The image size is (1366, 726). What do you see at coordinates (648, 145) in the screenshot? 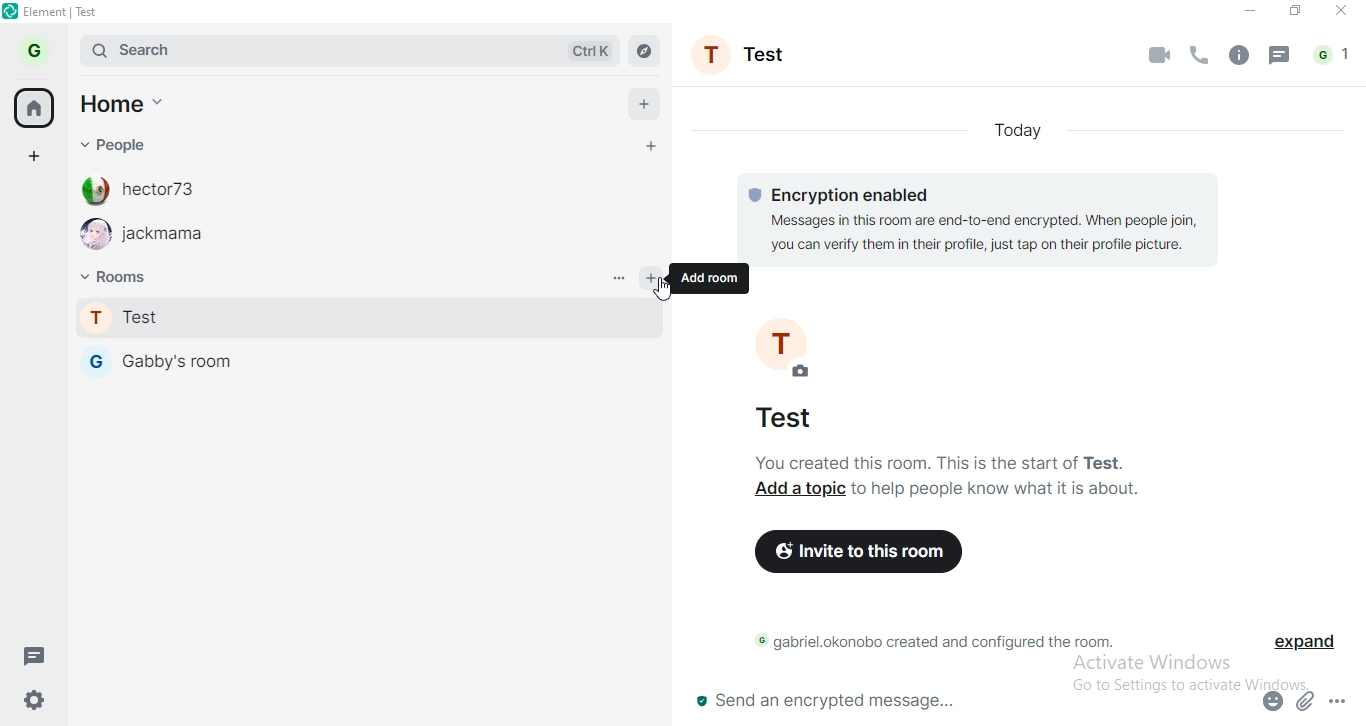
I see `add people` at bounding box center [648, 145].